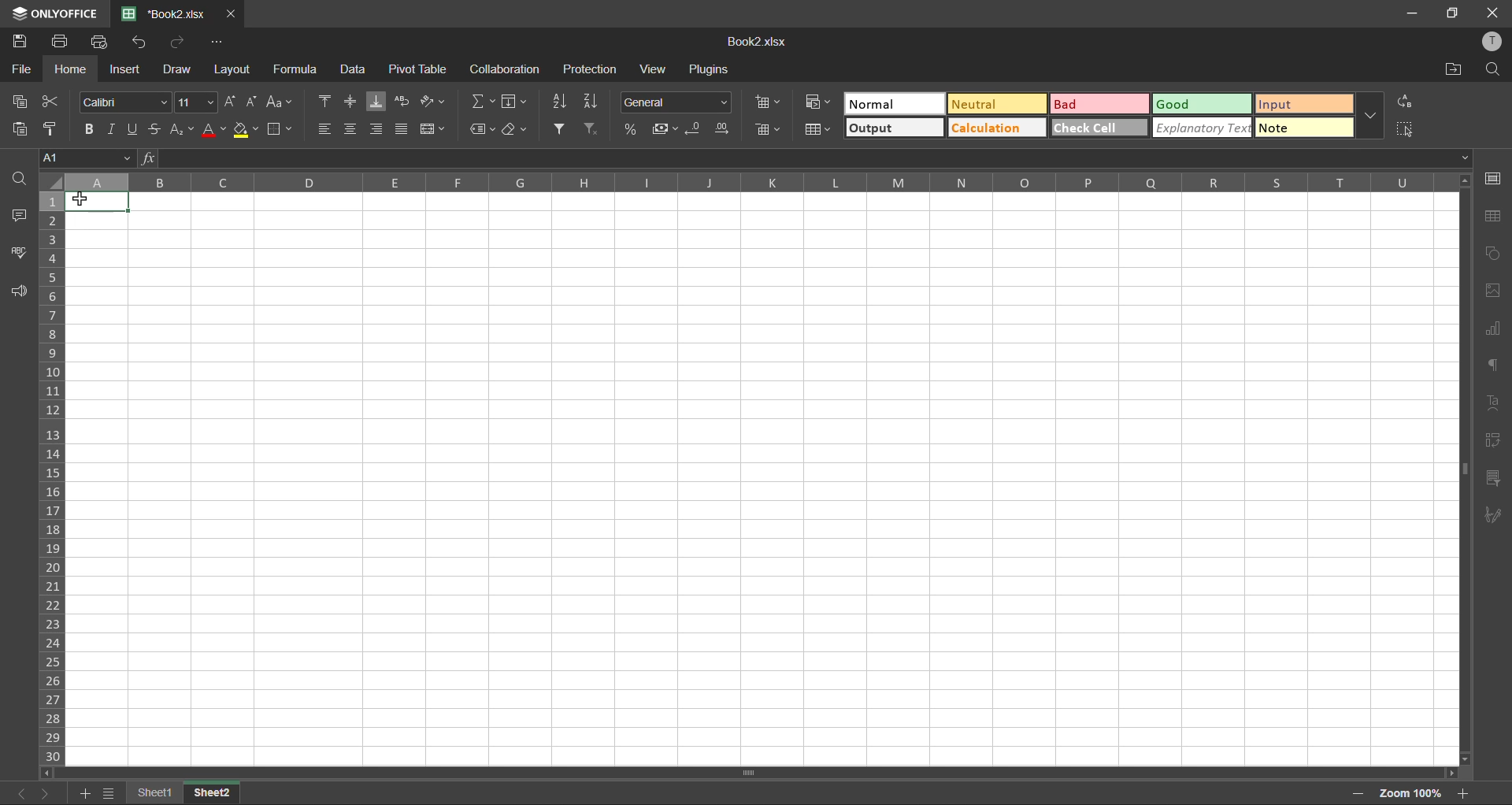  I want to click on align right, so click(376, 128).